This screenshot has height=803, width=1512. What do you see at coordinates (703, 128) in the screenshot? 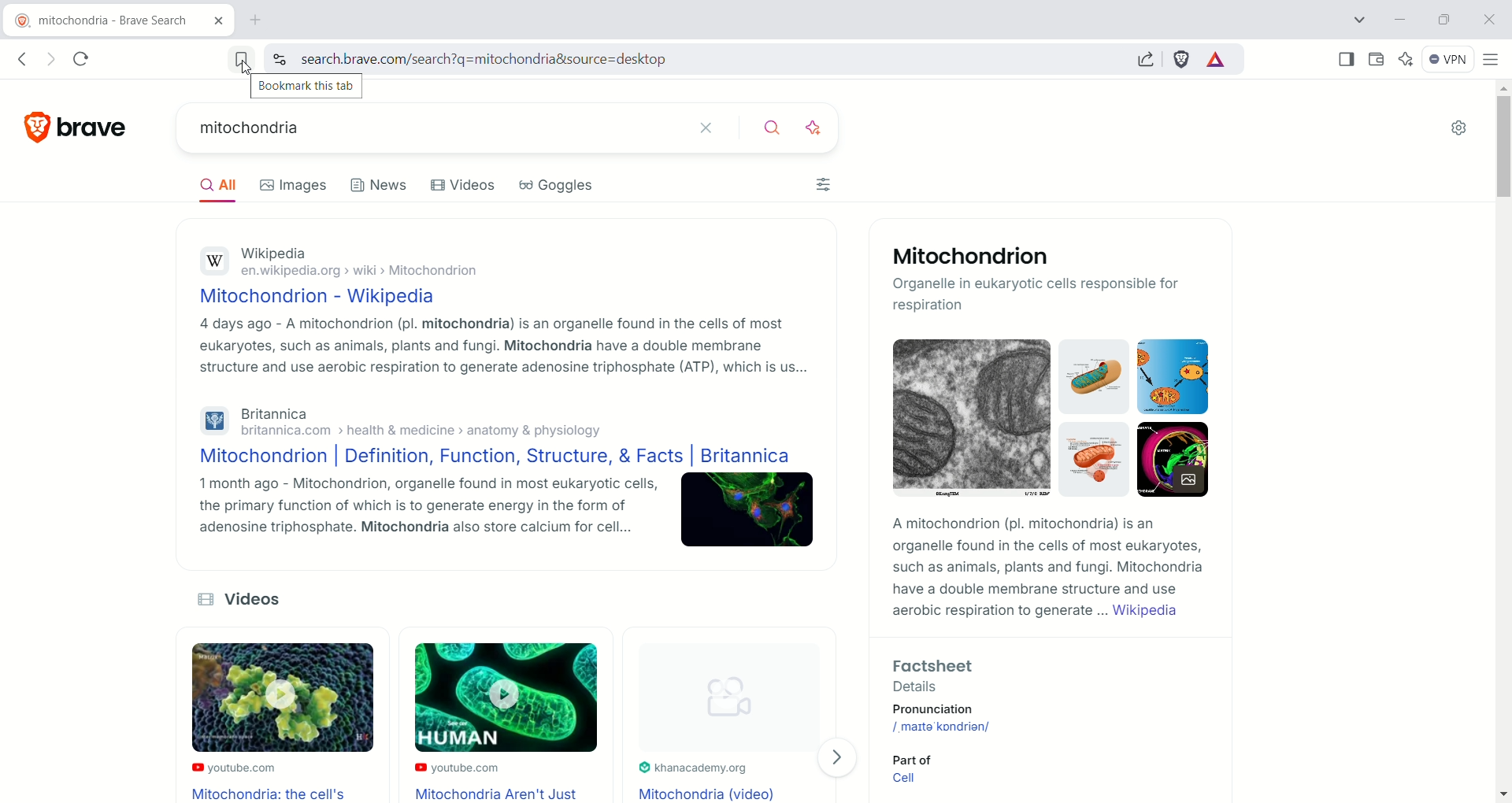
I see `close` at bounding box center [703, 128].